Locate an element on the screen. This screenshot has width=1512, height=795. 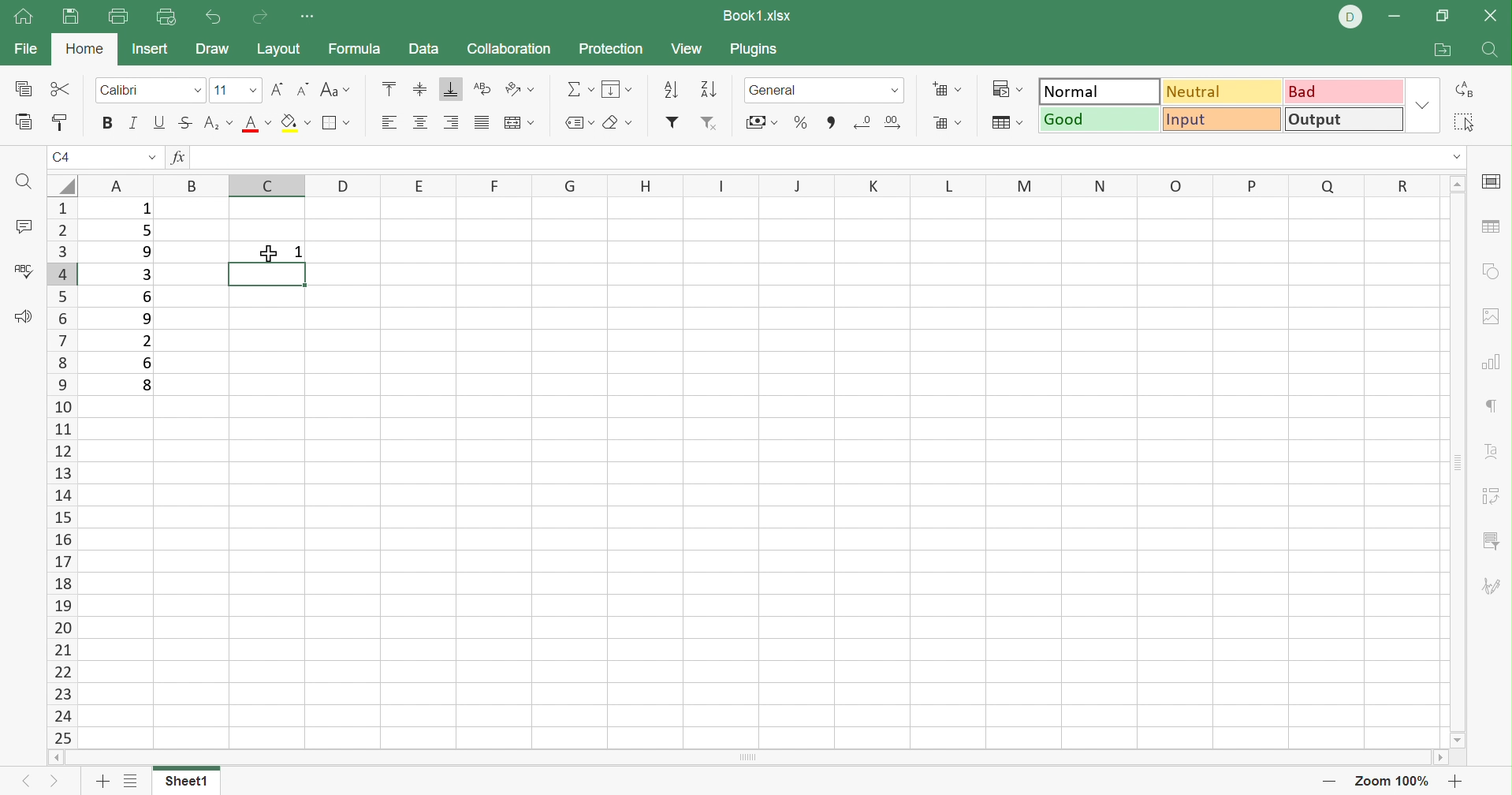
Summation is located at coordinates (578, 90).